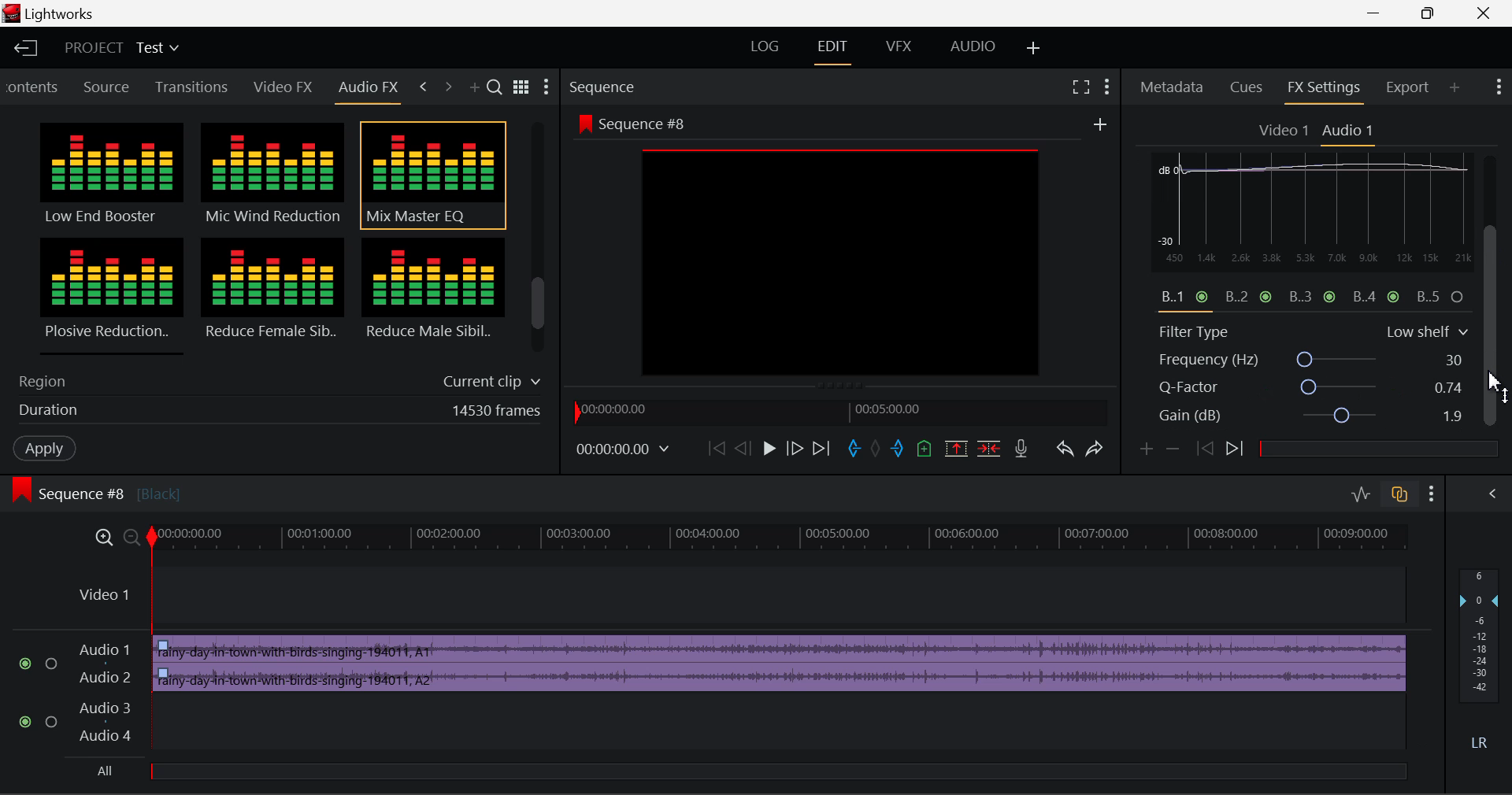  I want to click on Timeline Zoom Out, so click(132, 539).